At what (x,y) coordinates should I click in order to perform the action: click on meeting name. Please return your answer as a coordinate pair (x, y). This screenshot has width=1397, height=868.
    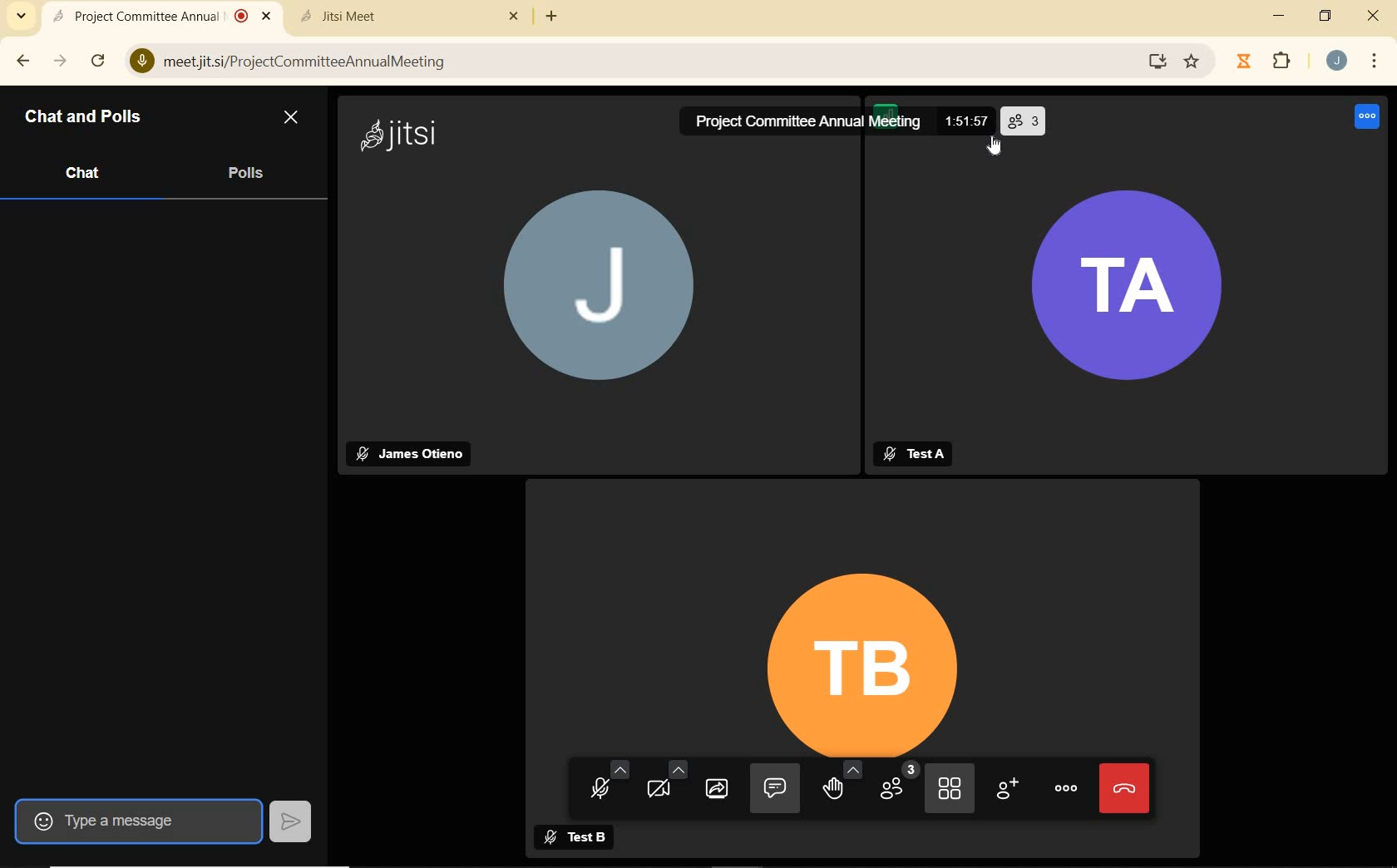
    Looking at the image, I should click on (802, 124).